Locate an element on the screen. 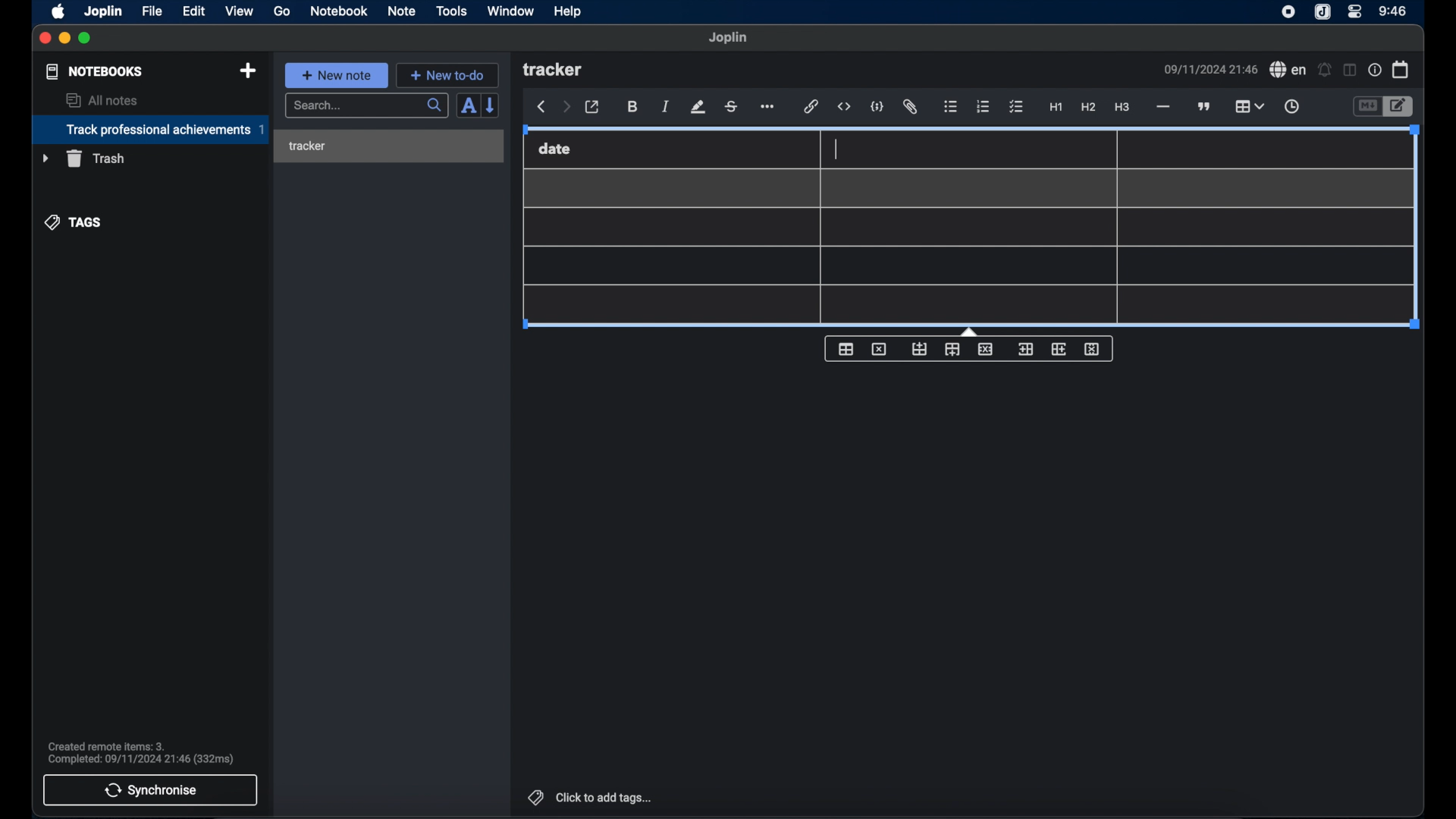 This screenshot has height=819, width=1456. heading 1 is located at coordinates (1056, 108).